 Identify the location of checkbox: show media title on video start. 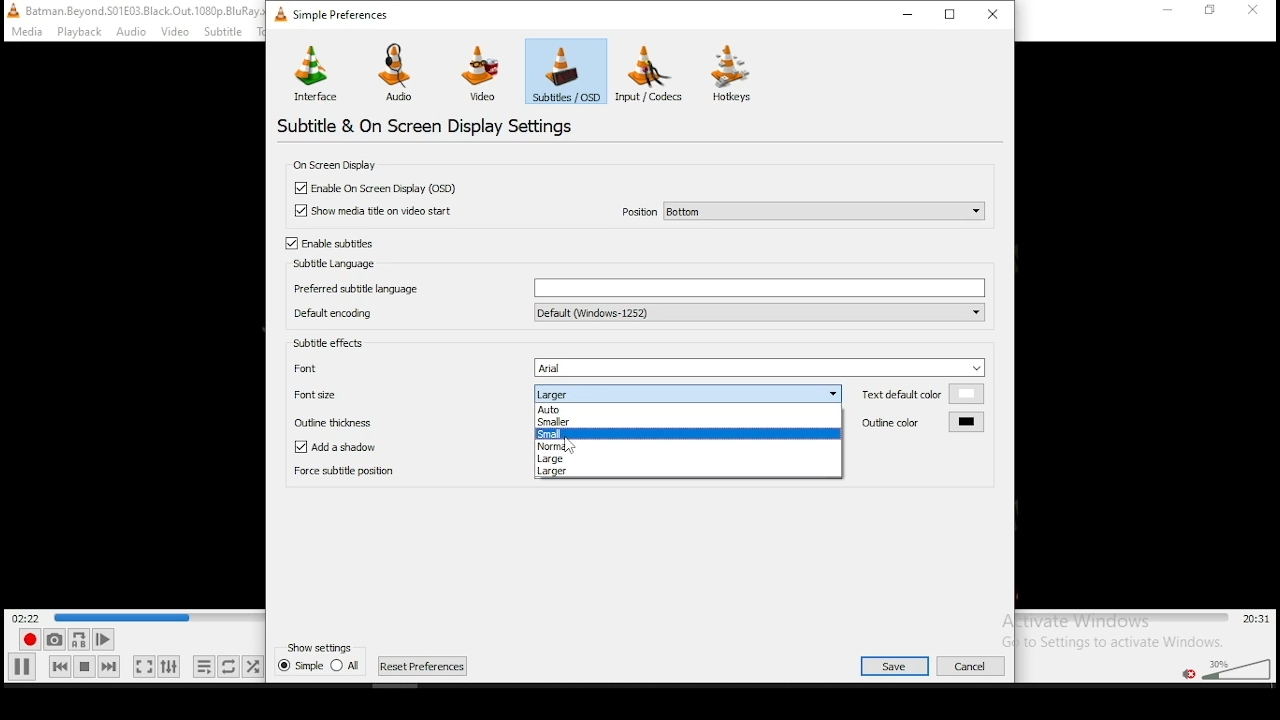
(377, 212).